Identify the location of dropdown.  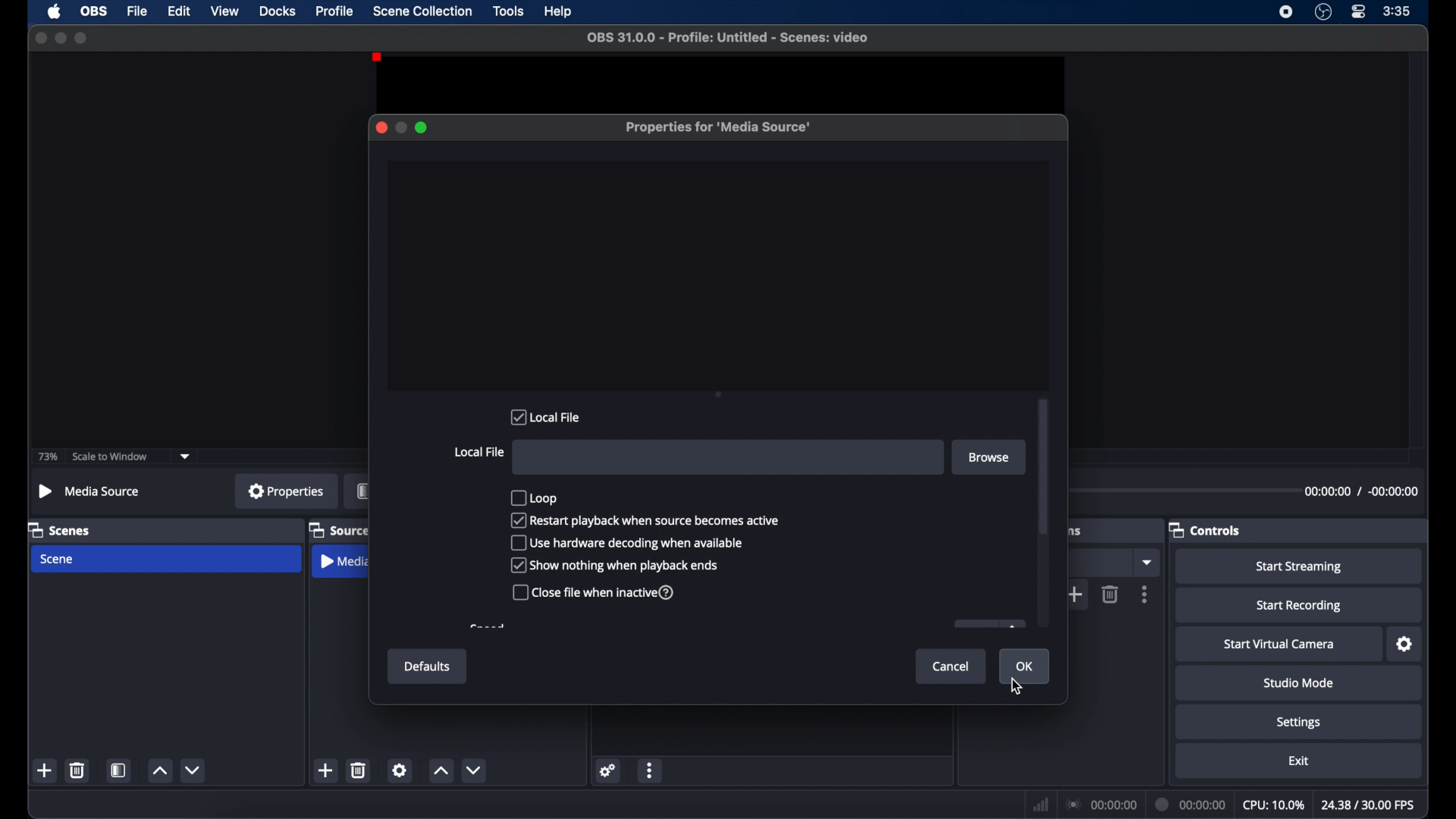
(185, 457).